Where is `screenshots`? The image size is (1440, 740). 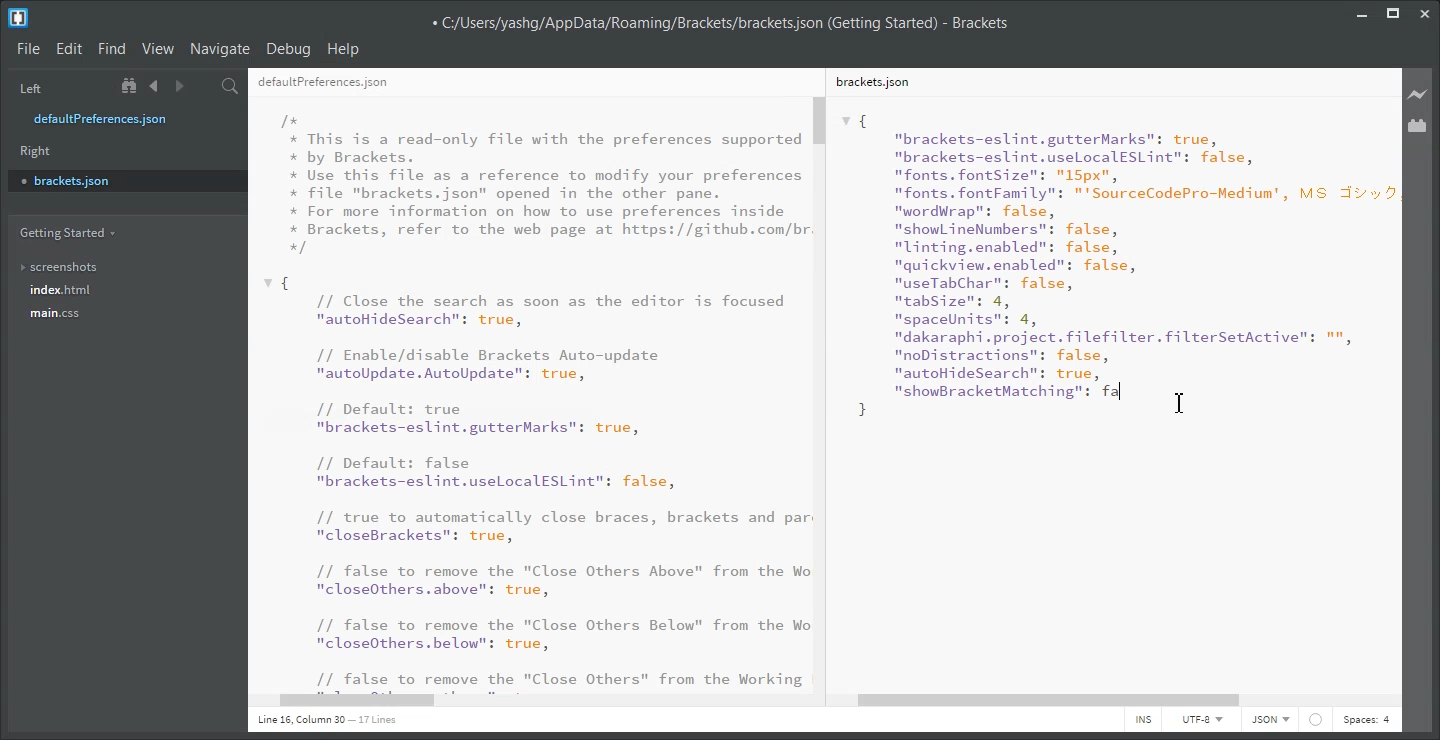 screenshots is located at coordinates (60, 263).